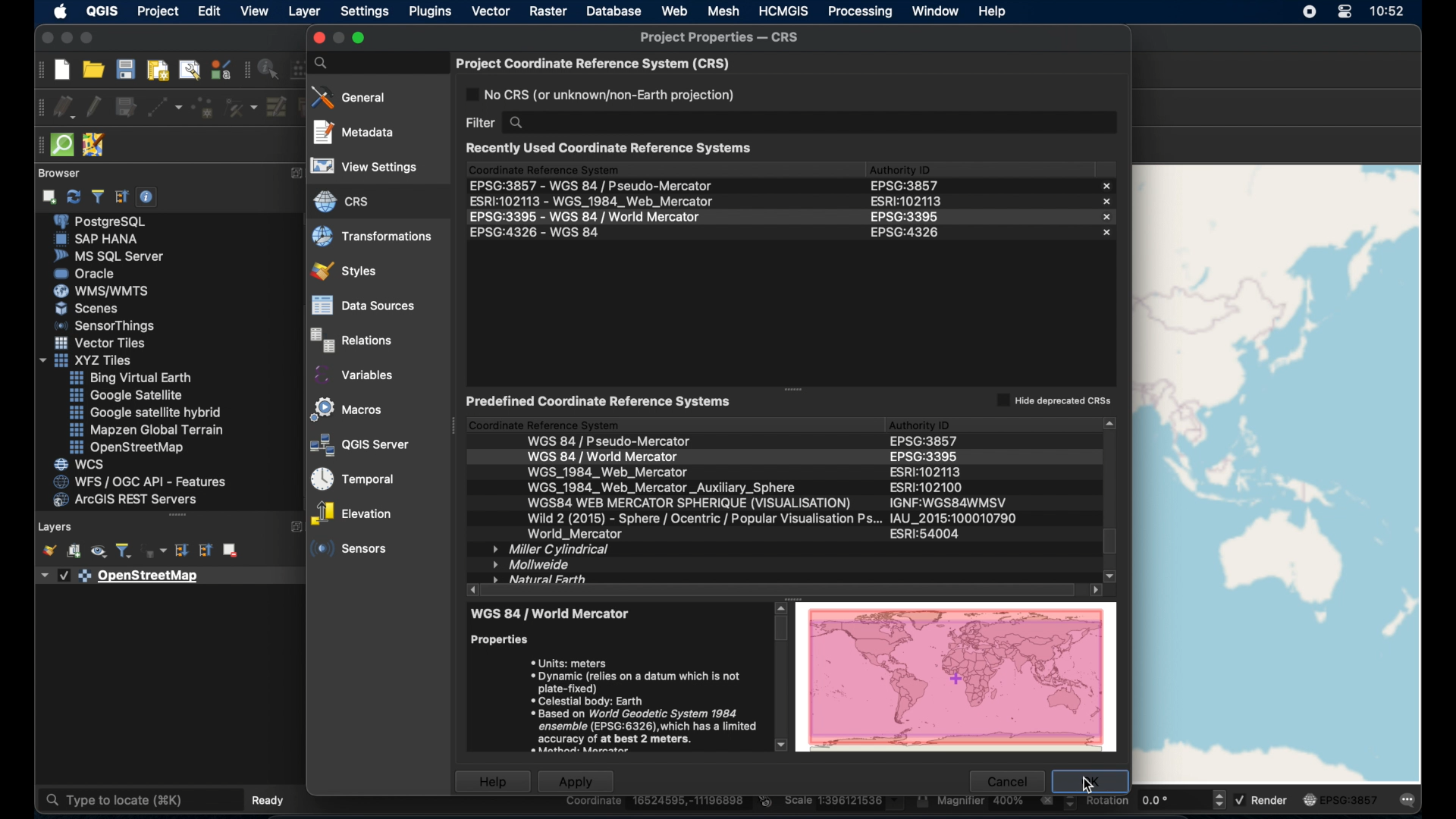  Describe the element at coordinates (36, 146) in the screenshot. I see `drag handle` at that location.